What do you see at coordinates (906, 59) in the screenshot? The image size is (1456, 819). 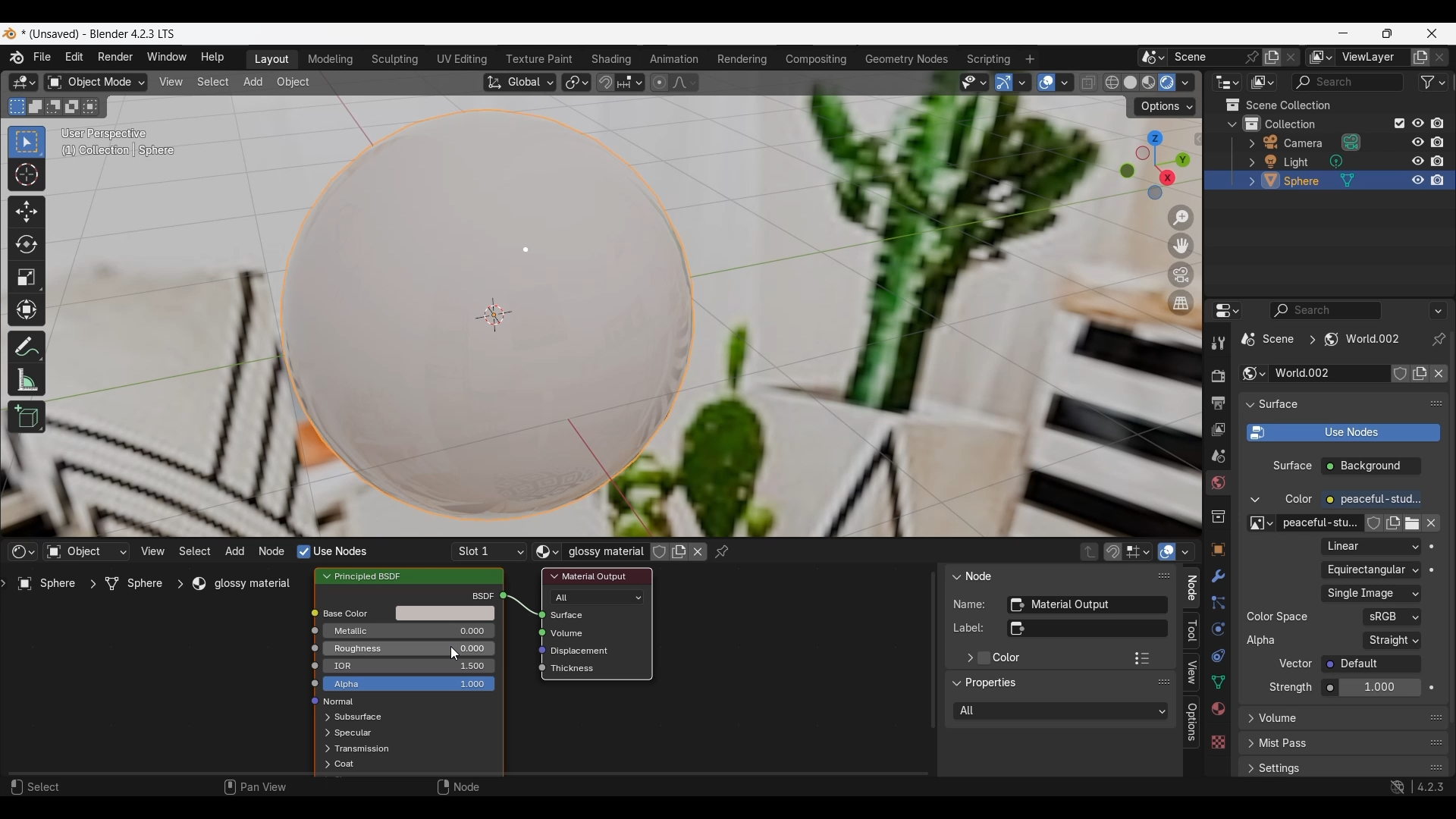 I see `Geometry nodes workspace` at bounding box center [906, 59].